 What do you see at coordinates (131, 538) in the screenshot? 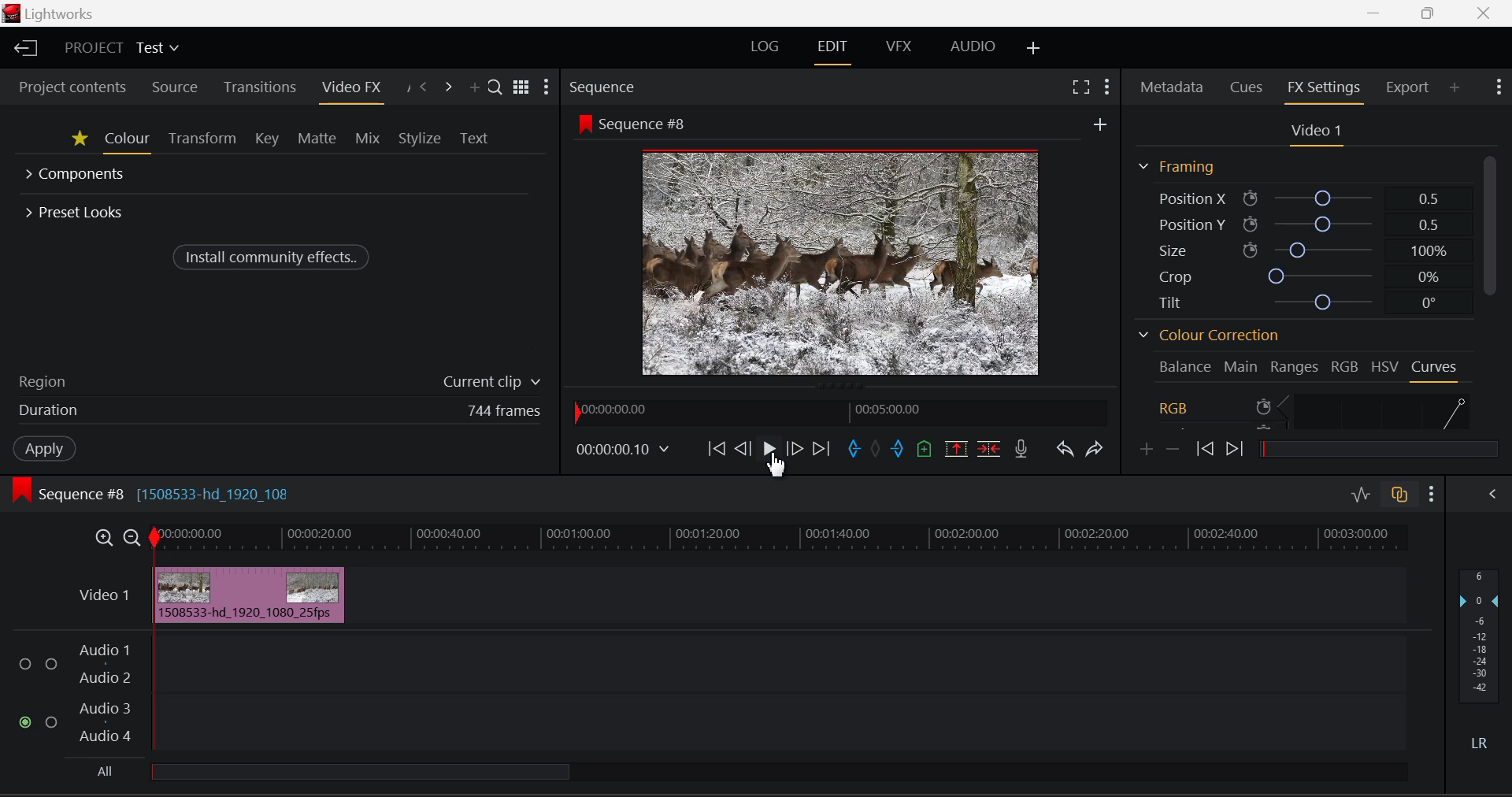
I see `Timeline Zoom Out` at bounding box center [131, 538].